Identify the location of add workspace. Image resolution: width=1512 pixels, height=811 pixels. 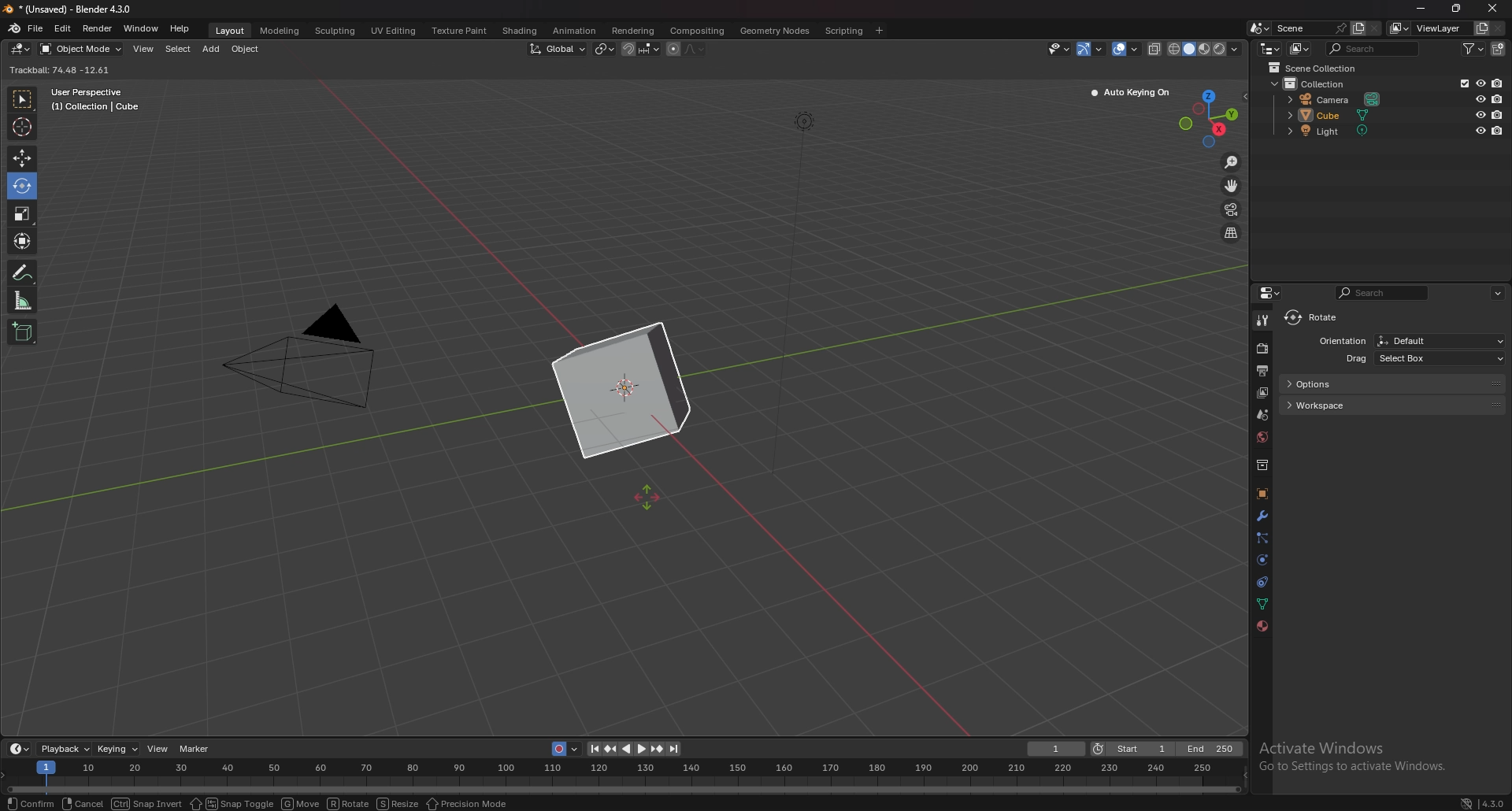
(880, 30).